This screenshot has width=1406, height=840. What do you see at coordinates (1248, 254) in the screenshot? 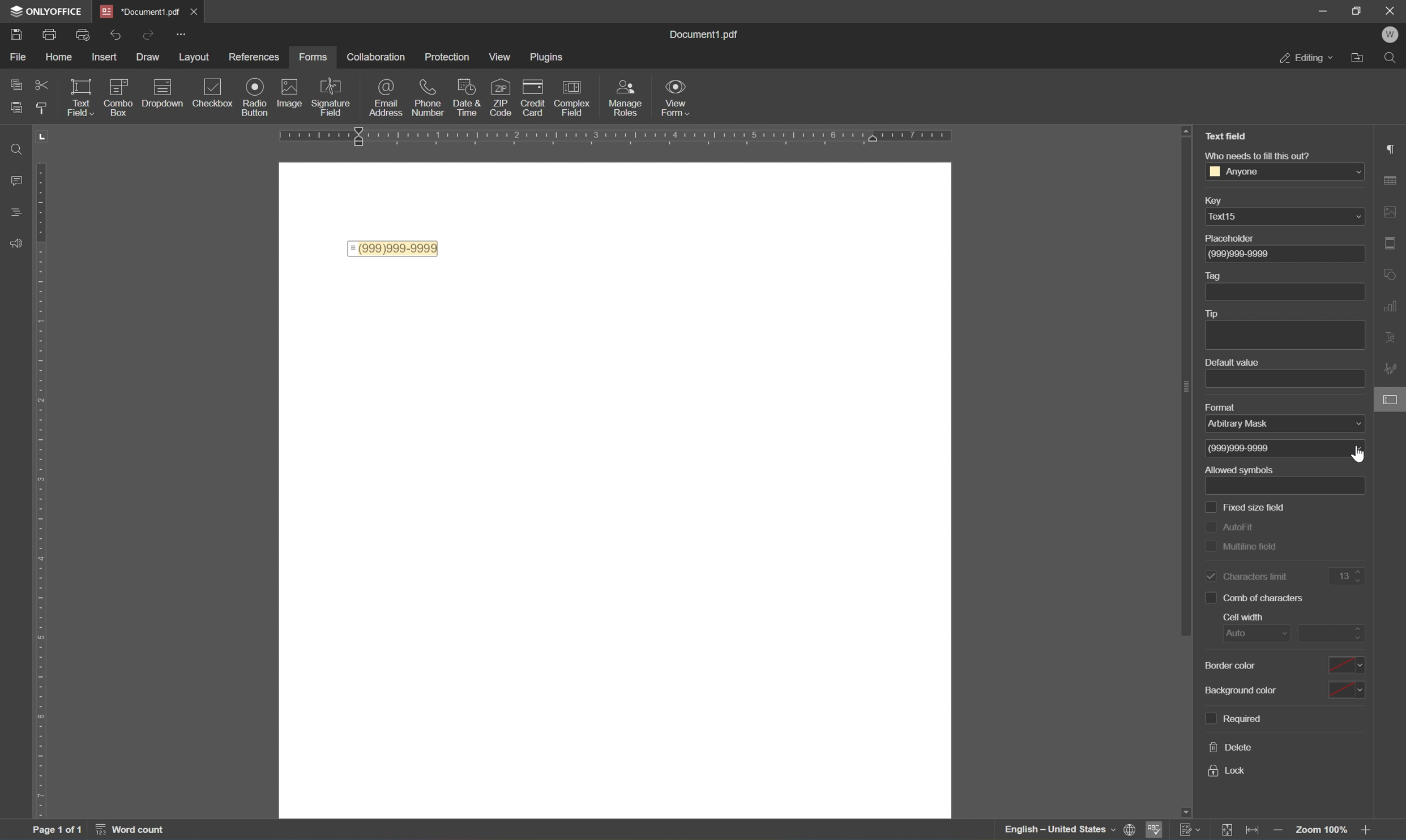
I see `(999)999-9999` at bounding box center [1248, 254].